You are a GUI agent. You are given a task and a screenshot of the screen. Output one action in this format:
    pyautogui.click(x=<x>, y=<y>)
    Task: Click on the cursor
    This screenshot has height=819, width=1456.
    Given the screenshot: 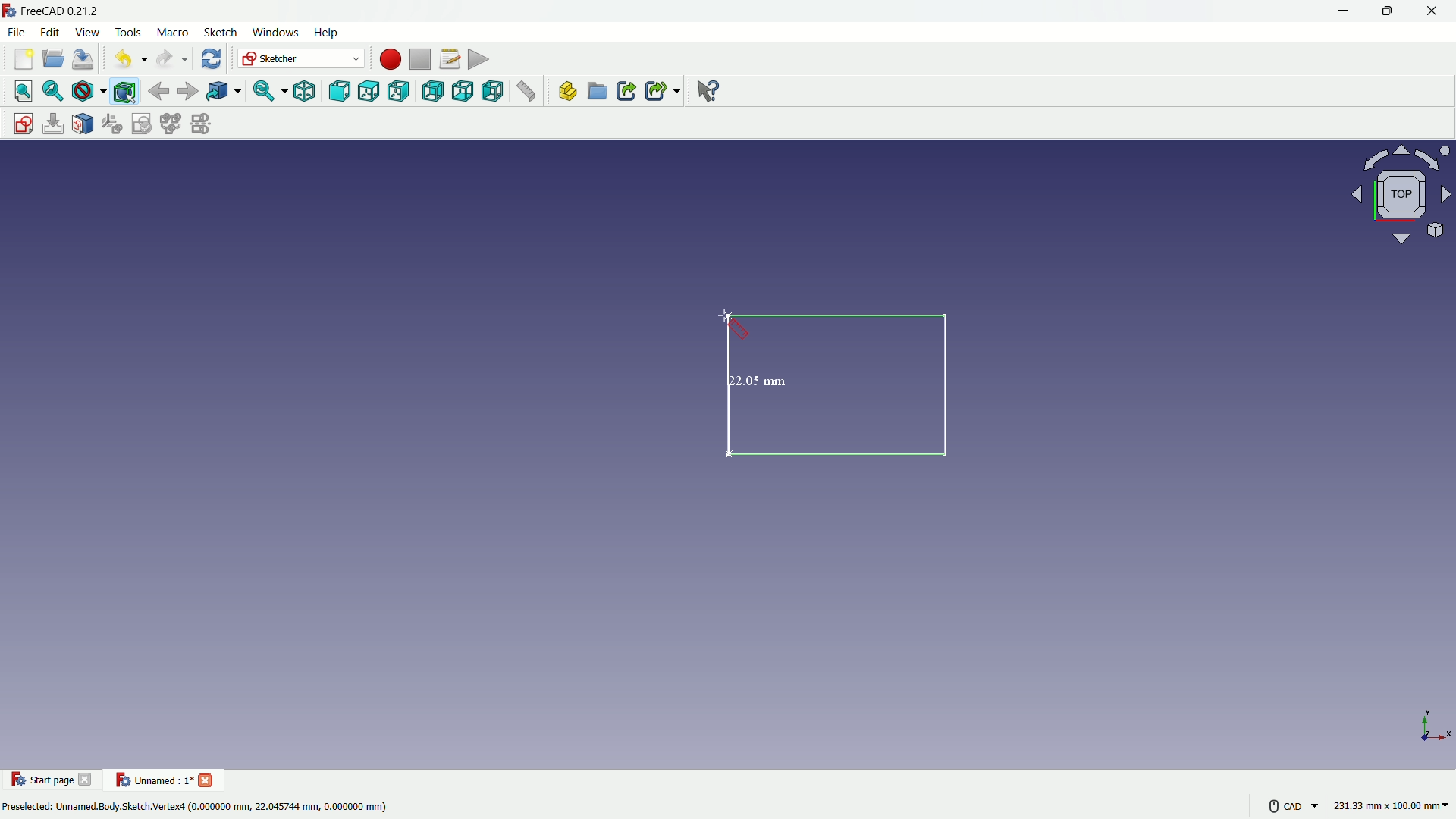 What is the action you would take?
    pyautogui.click(x=733, y=325)
    